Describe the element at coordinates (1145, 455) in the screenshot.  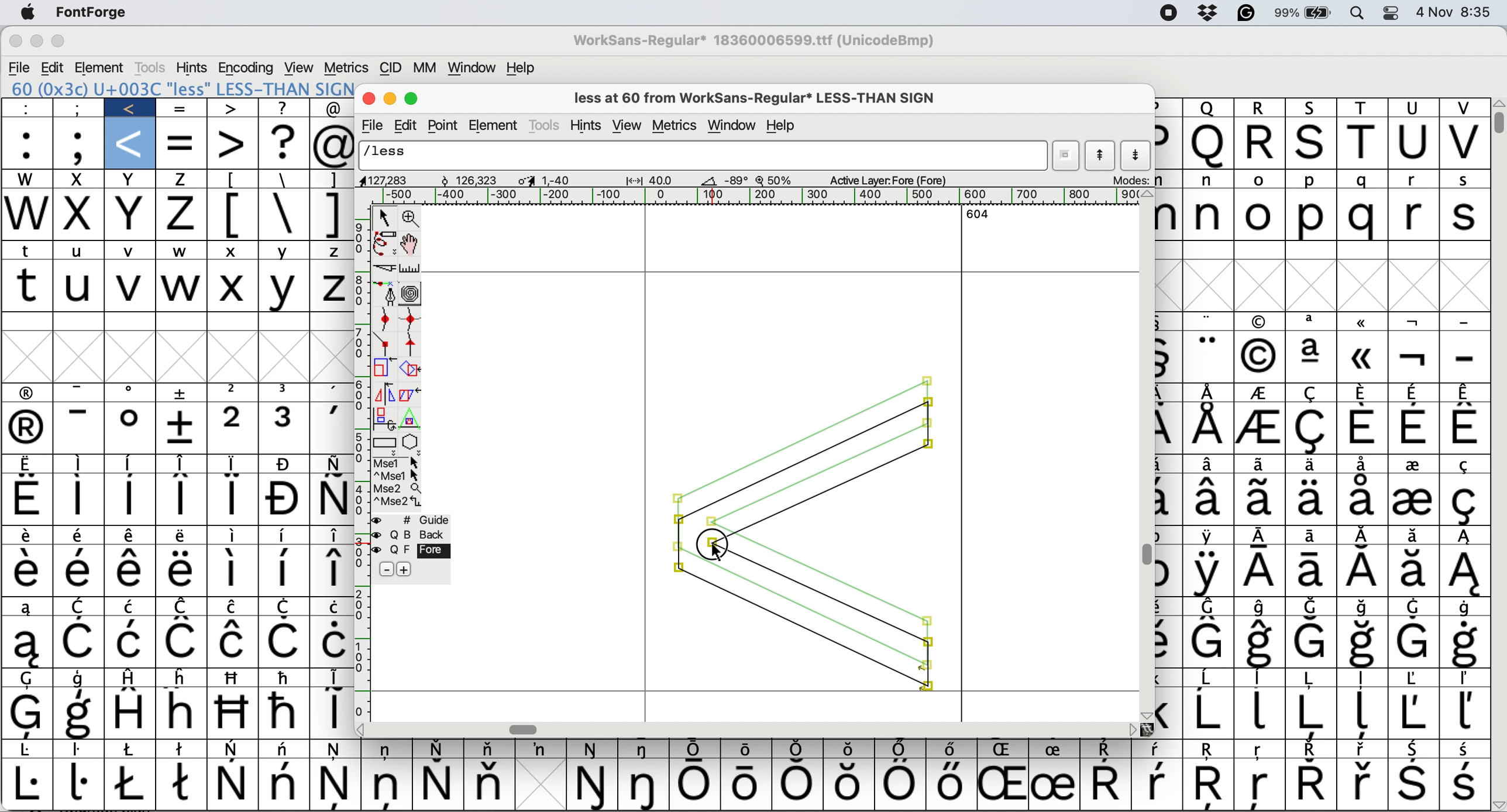
I see `vertical scroll bar` at that location.